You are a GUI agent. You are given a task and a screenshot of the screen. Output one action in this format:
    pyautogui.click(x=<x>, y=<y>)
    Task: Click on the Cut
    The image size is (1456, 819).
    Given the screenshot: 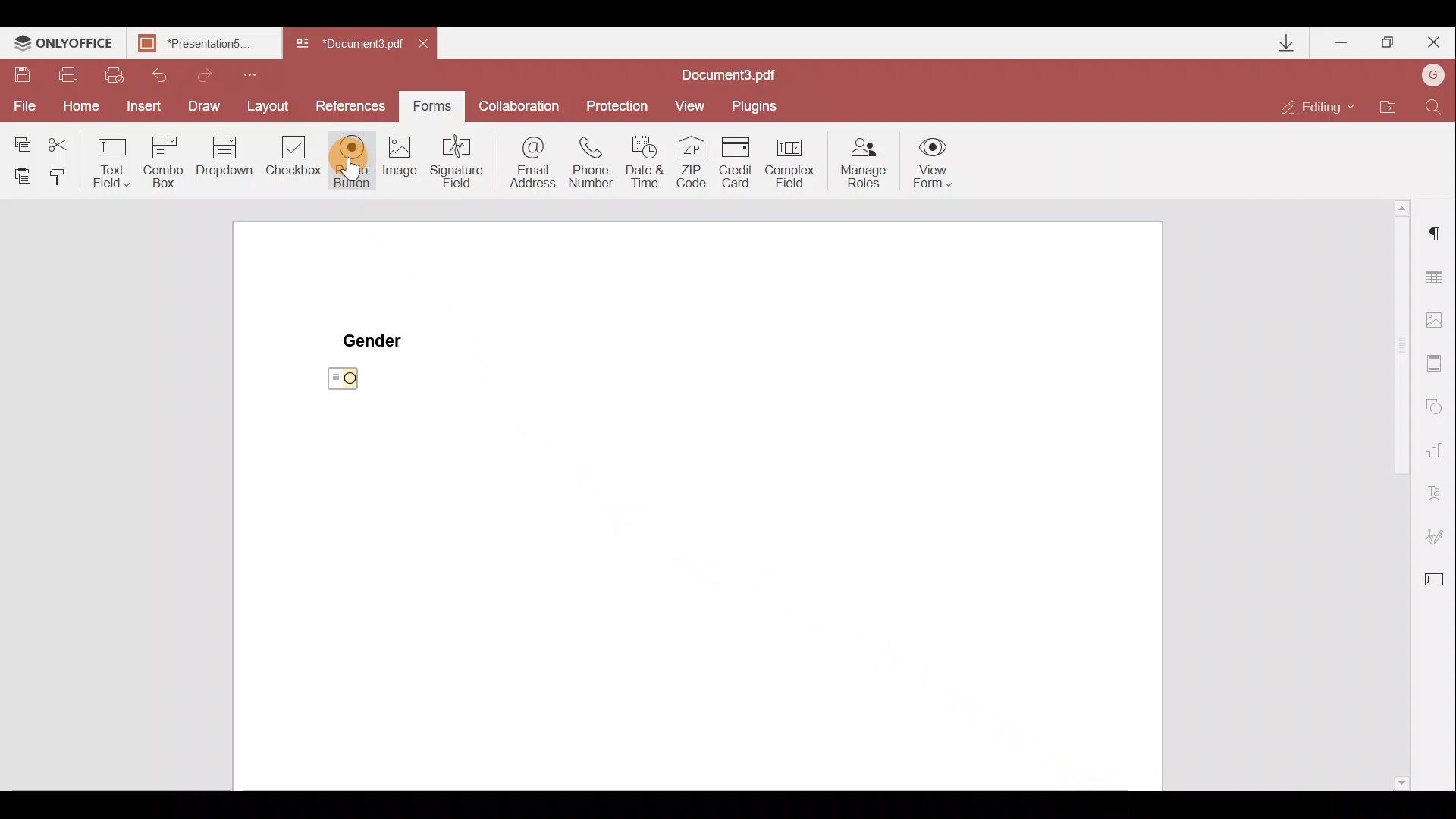 What is the action you would take?
    pyautogui.click(x=58, y=142)
    